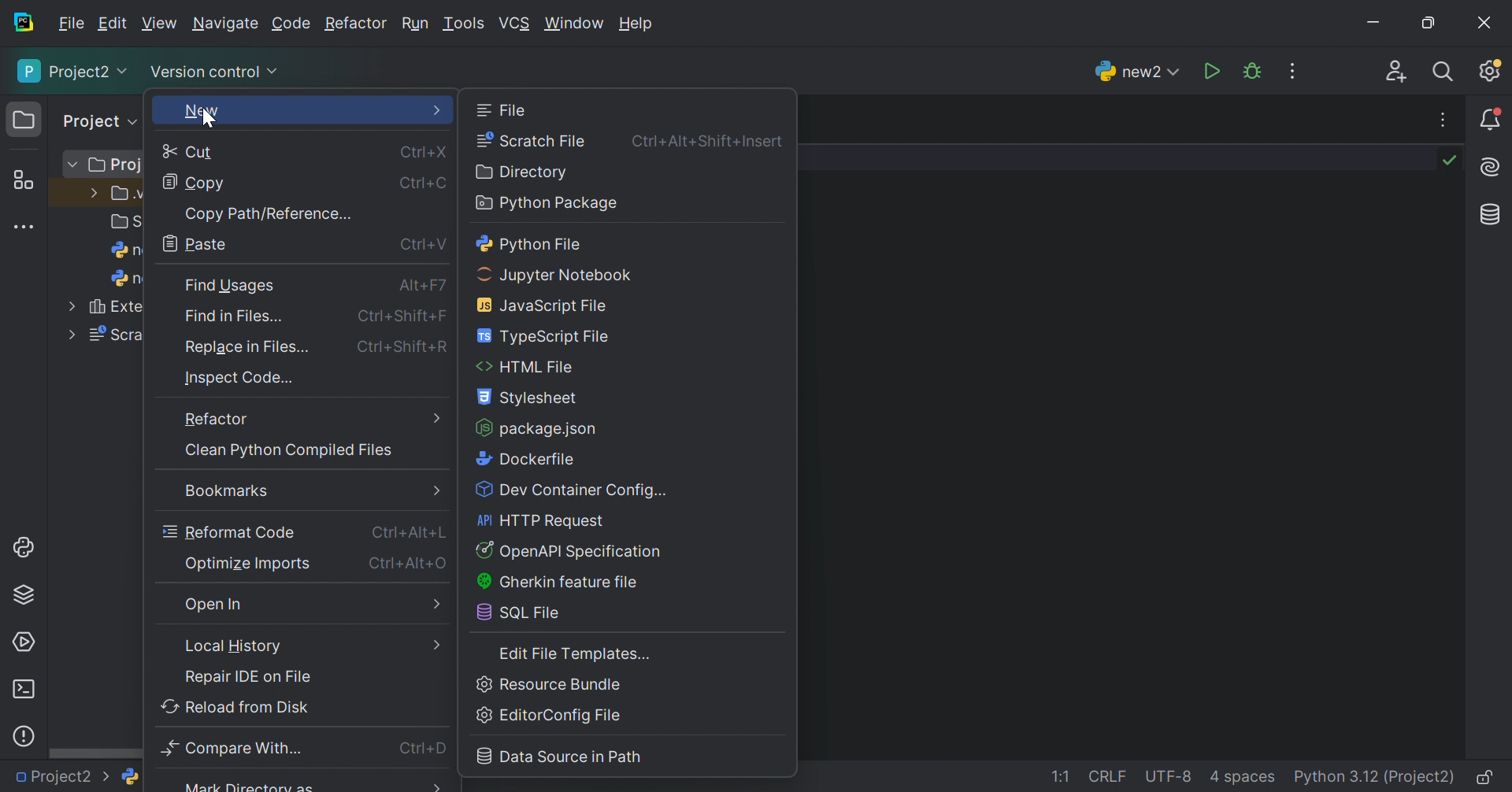 Image resolution: width=1512 pixels, height=792 pixels. I want to click on More, so click(421, 785).